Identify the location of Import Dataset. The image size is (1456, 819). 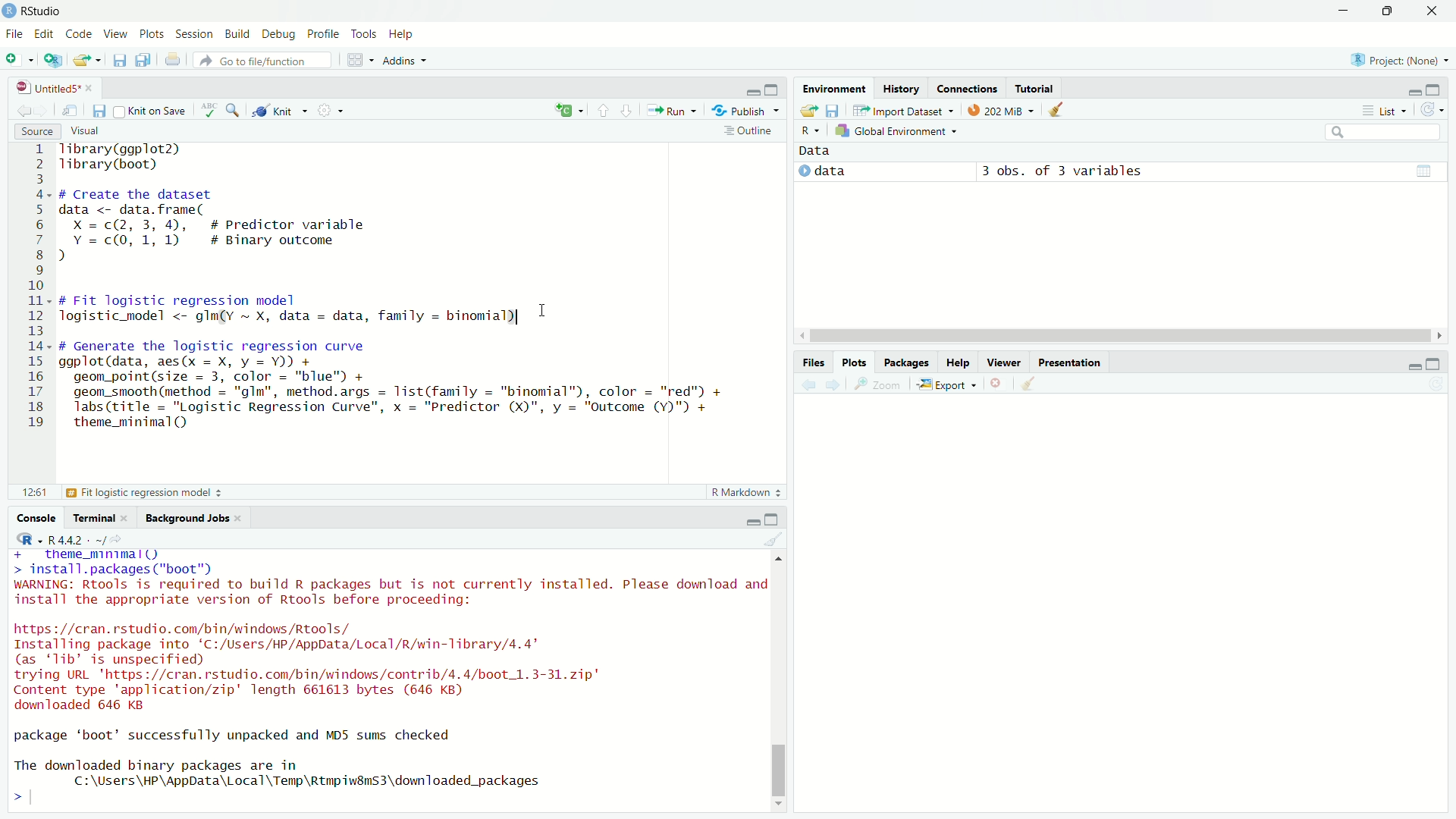
(903, 110).